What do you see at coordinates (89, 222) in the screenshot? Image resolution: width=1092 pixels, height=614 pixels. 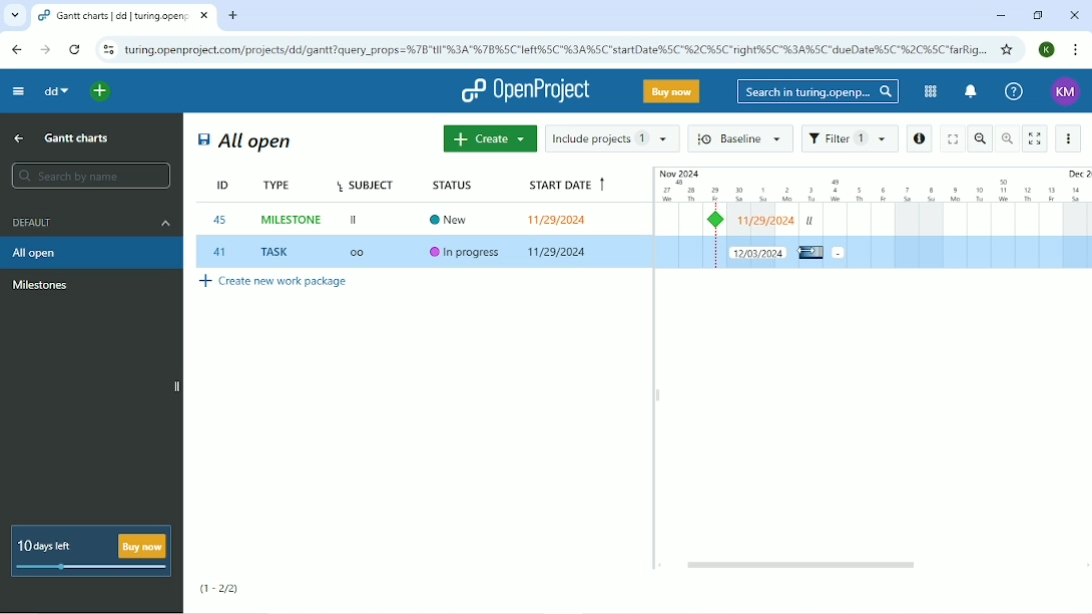 I see `Default` at bounding box center [89, 222].